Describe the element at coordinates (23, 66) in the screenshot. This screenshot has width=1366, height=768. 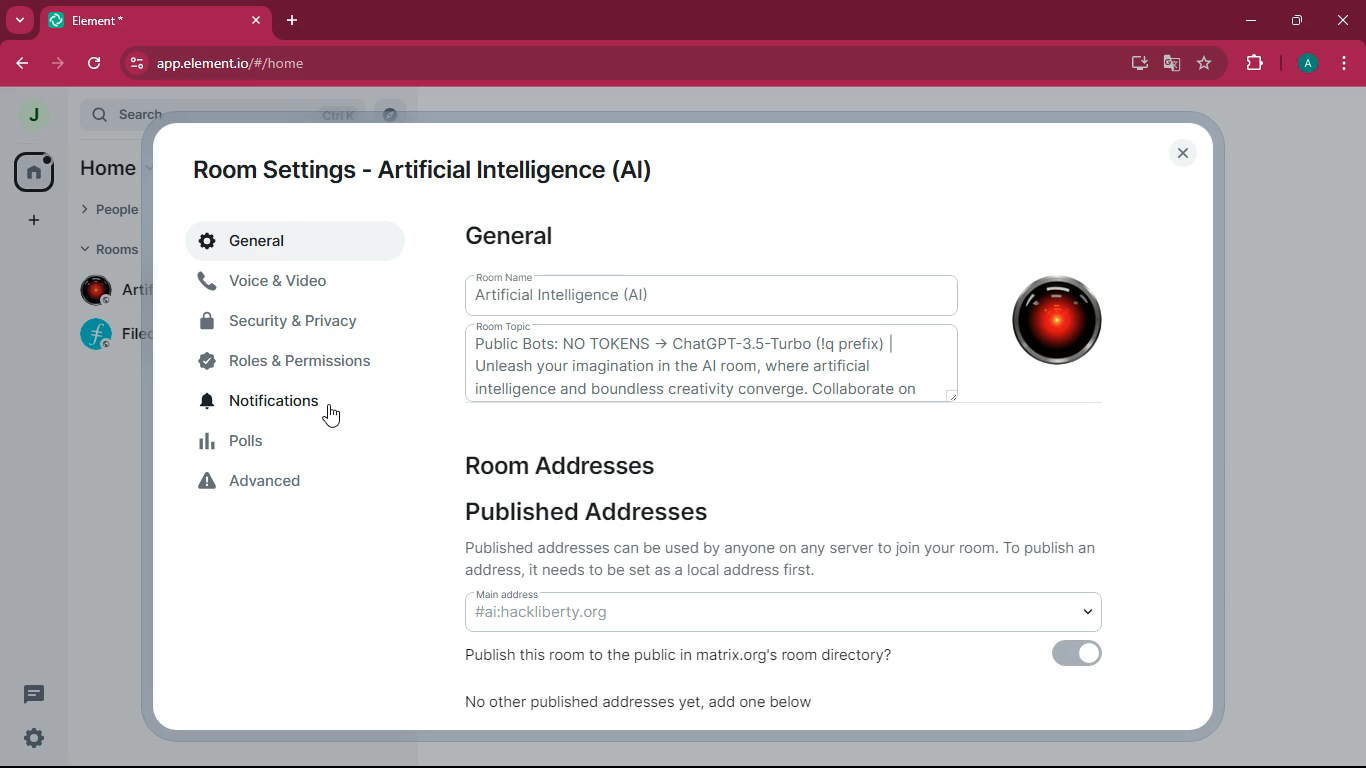
I see `back` at that location.